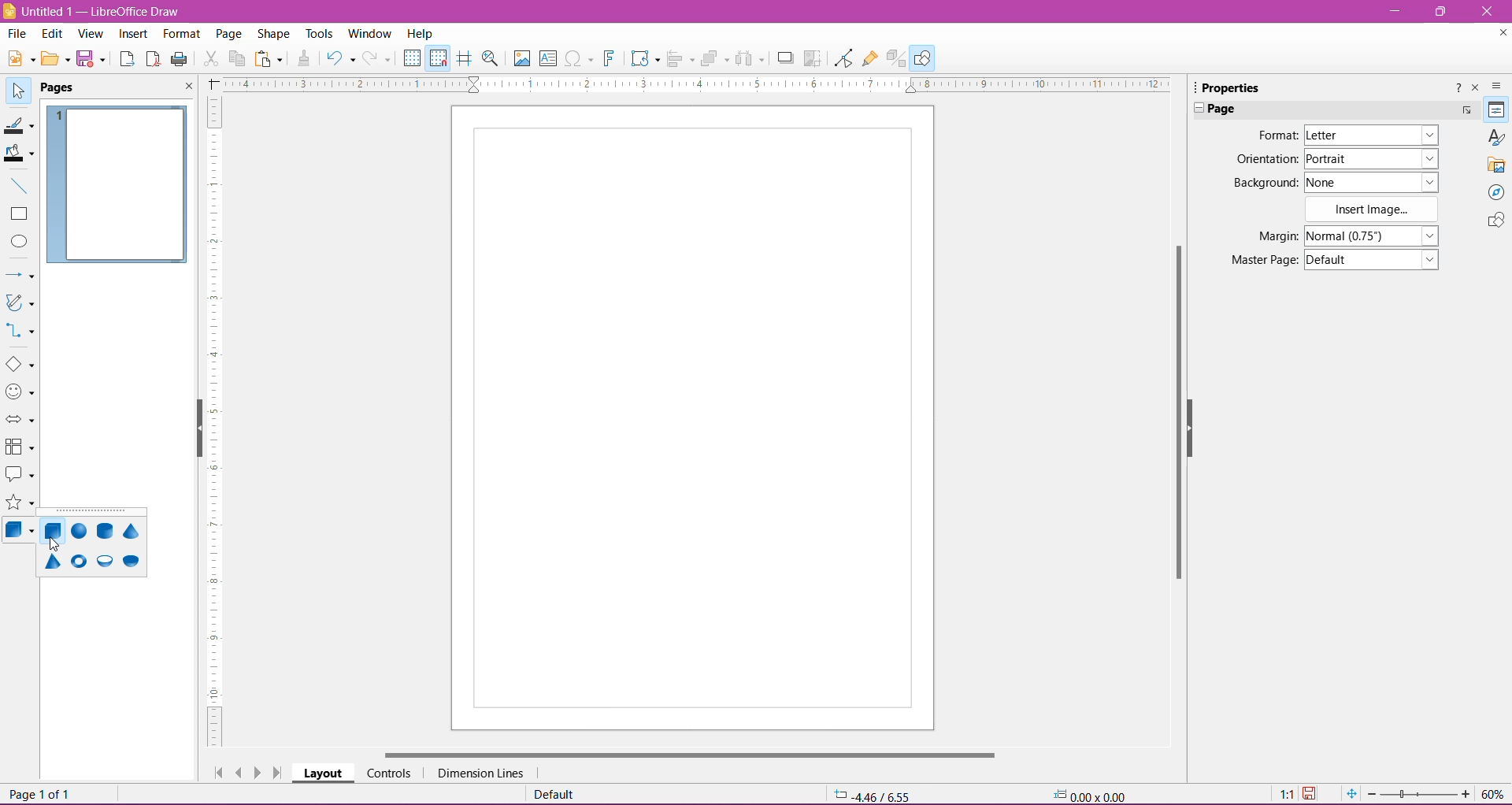  Describe the element at coordinates (180, 60) in the screenshot. I see `Print` at that location.